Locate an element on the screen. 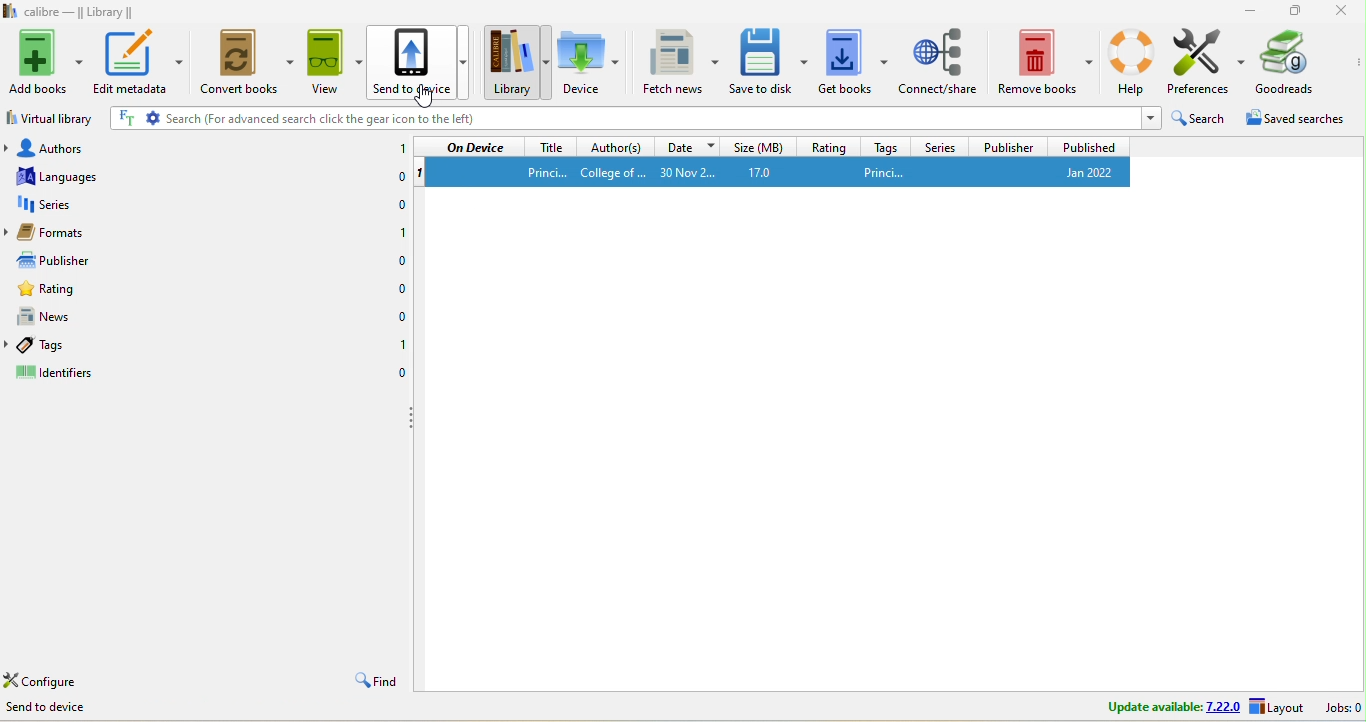  minimize is located at coordinates (1246, 10).